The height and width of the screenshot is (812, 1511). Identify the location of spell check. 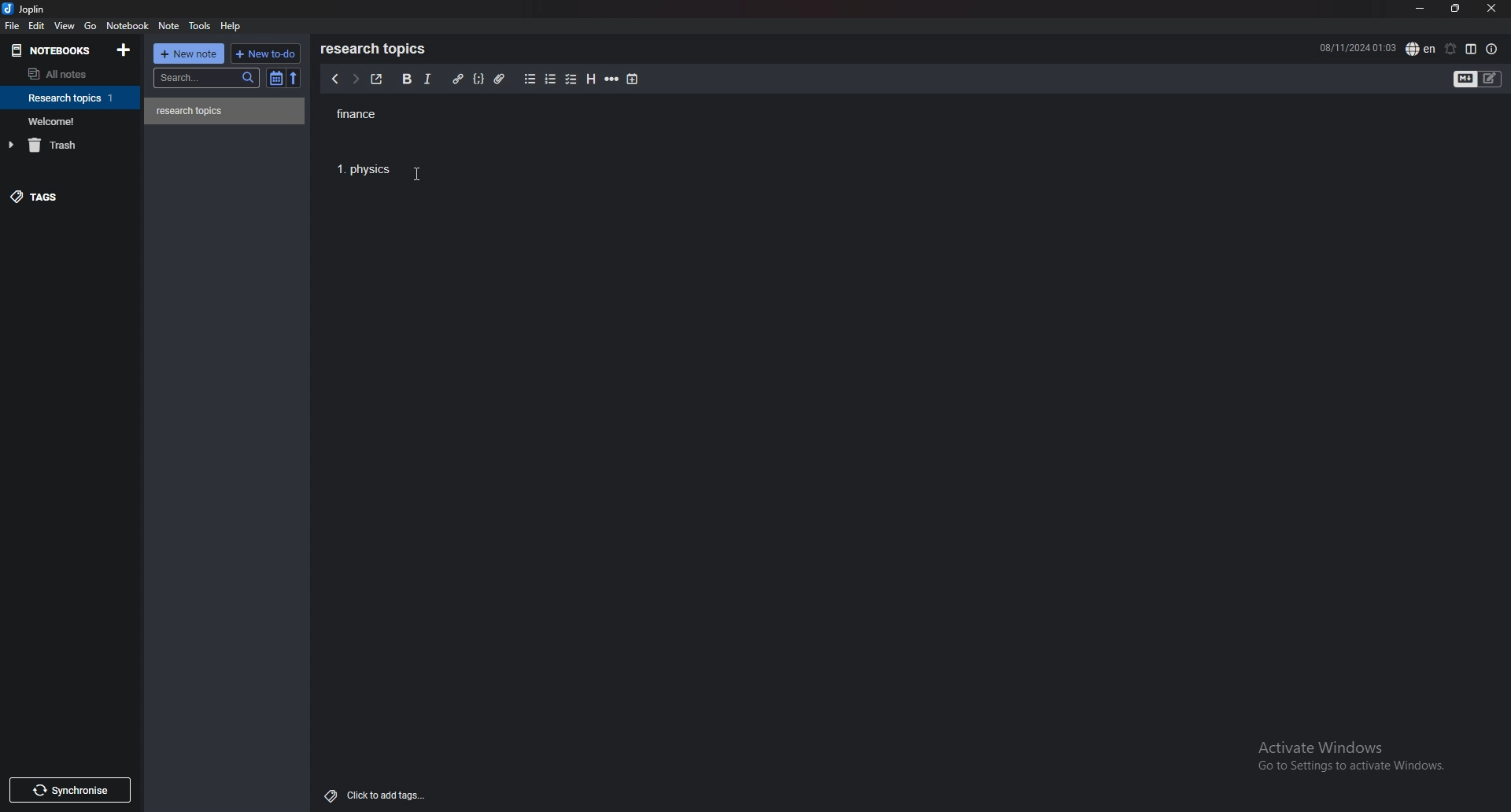
(1420, 48).